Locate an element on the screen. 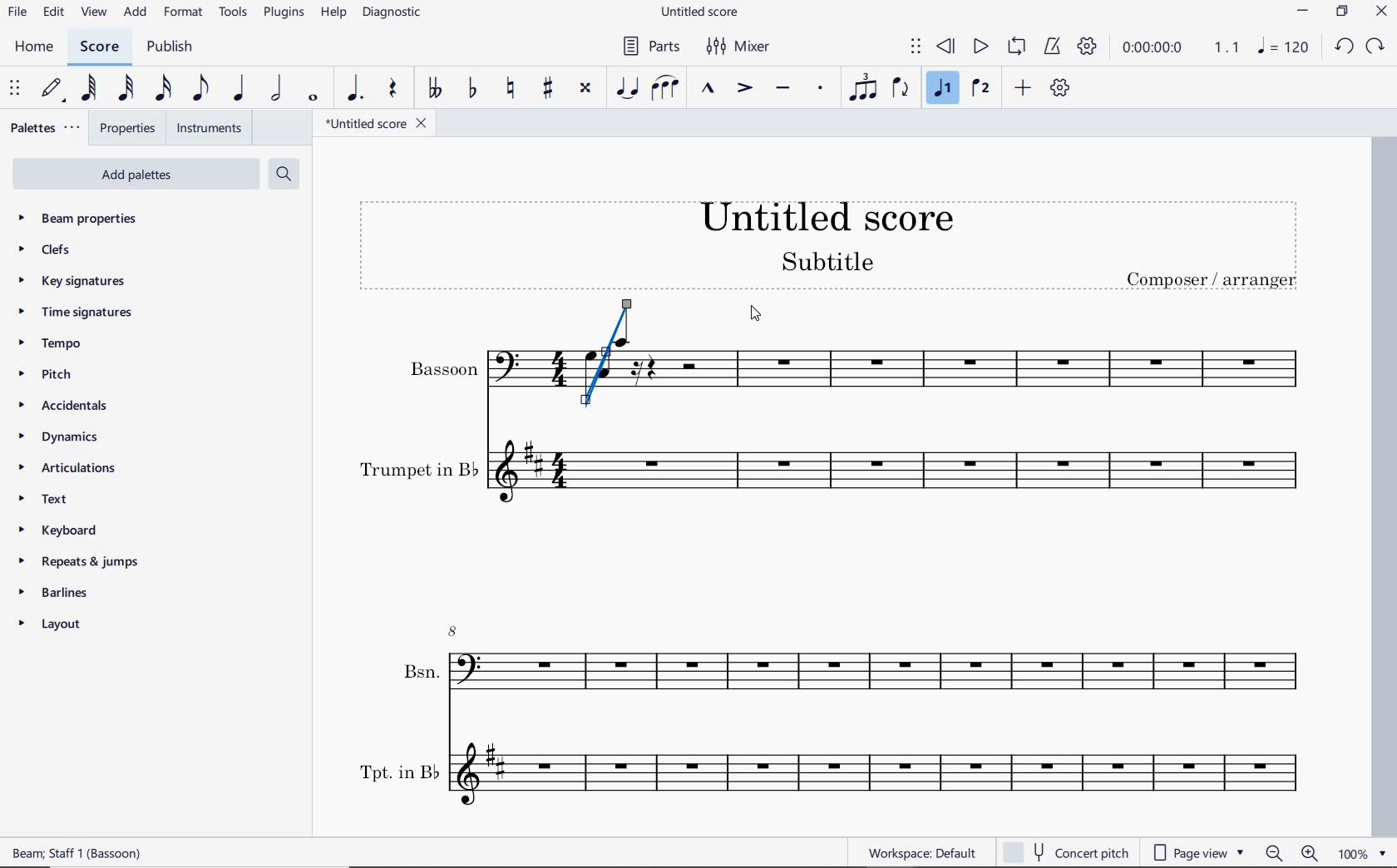  voice 1 is located at coordinates (940, 89).